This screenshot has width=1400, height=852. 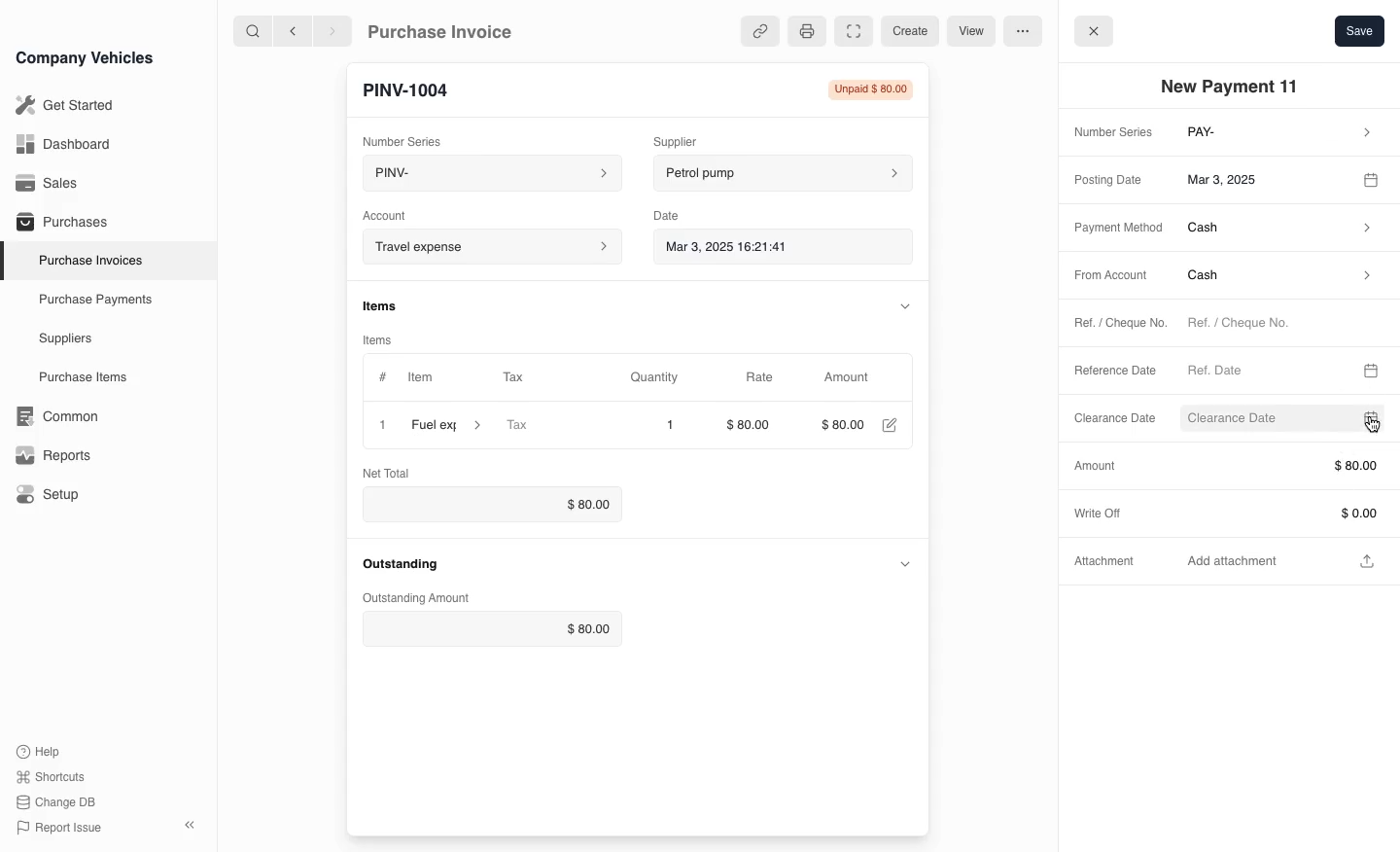 What do you see at coordinates (254, 30) in the screenshot?
I see `search` at bounding box center [254, 30].